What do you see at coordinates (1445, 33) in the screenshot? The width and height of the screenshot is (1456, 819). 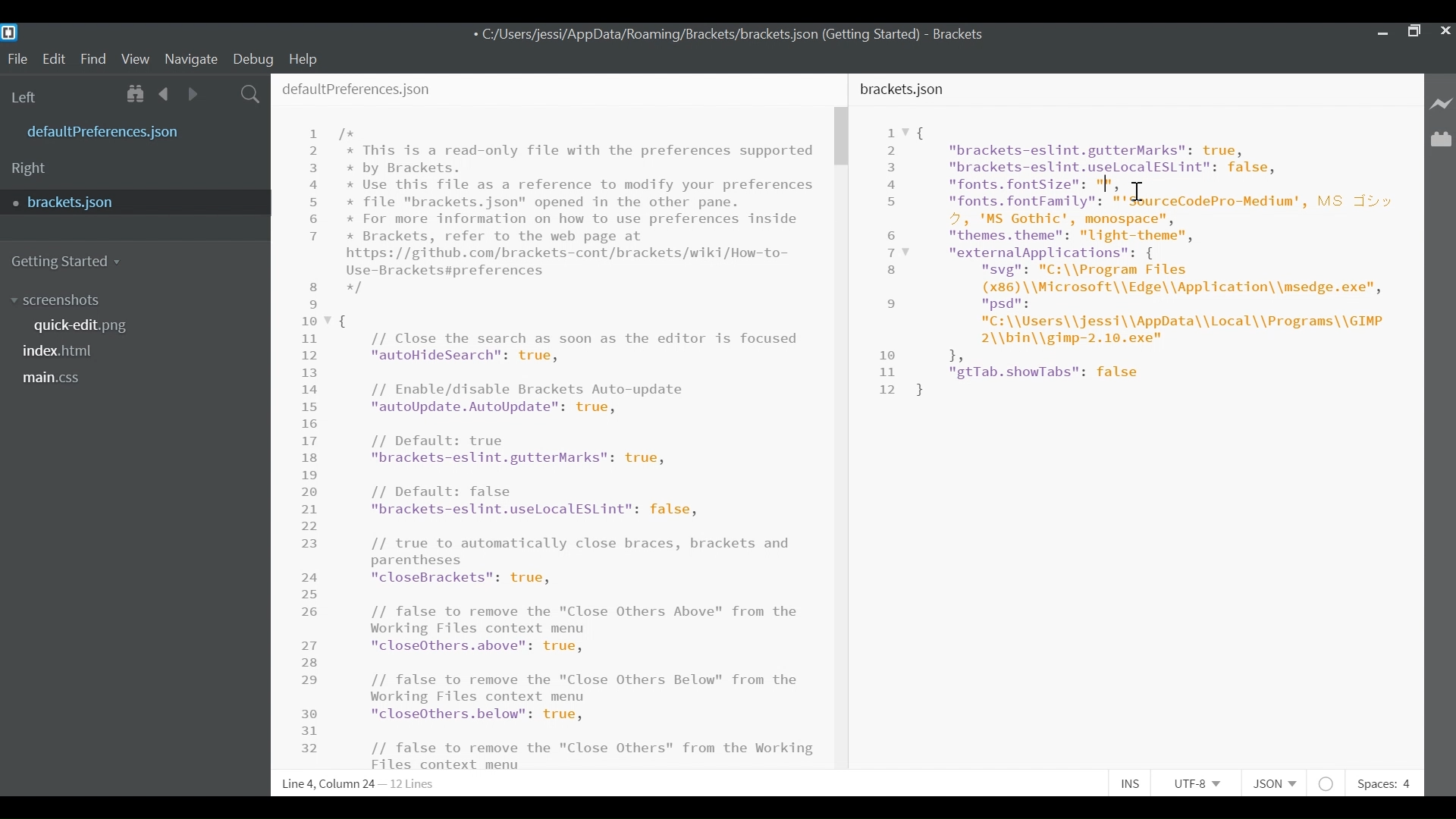 I see `Close` at bounding box center [1445, 33].